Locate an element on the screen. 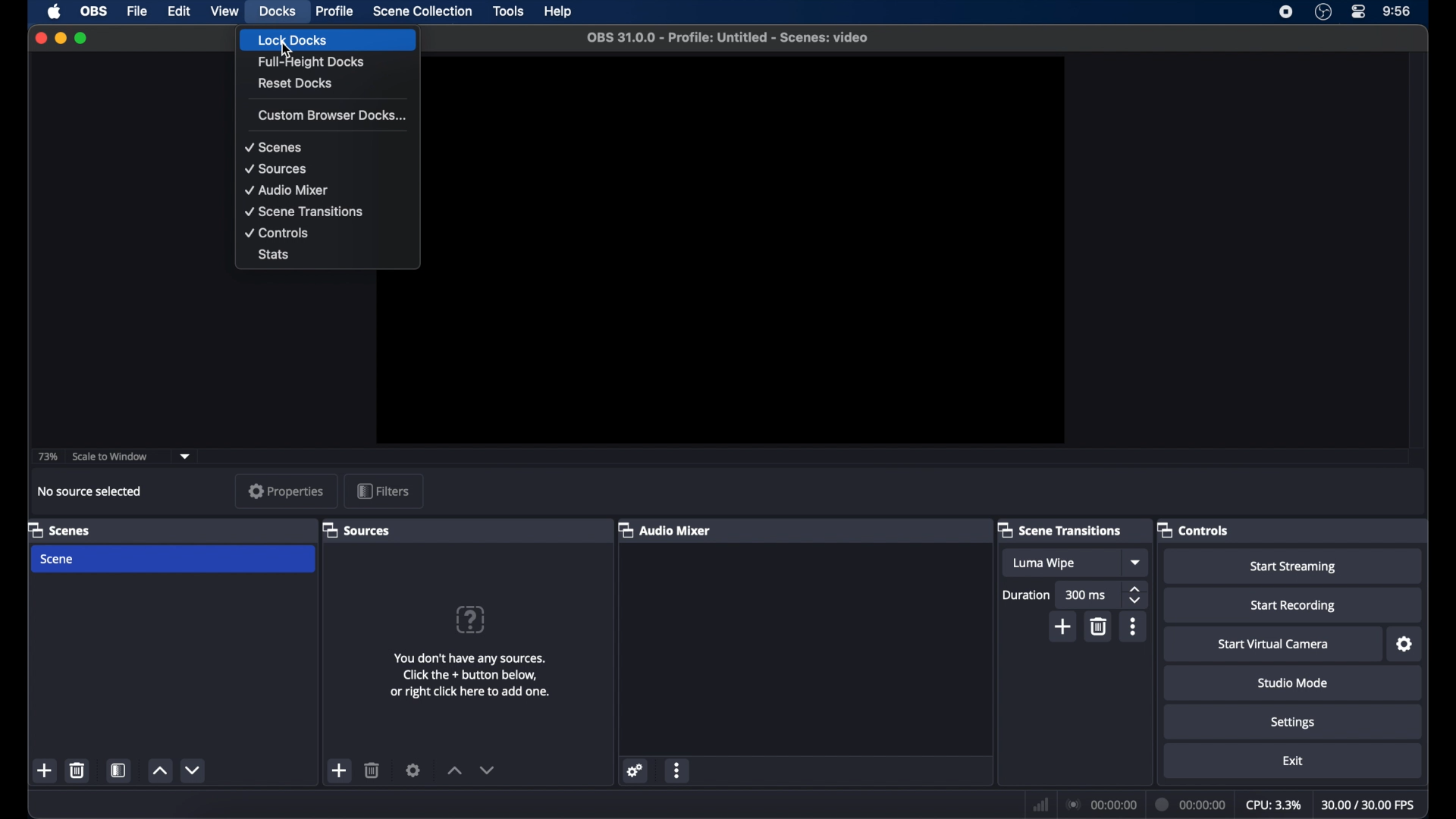 The width and height of the screenshot is (1456, 819). full-height docks is located at coordinates (312, 63).